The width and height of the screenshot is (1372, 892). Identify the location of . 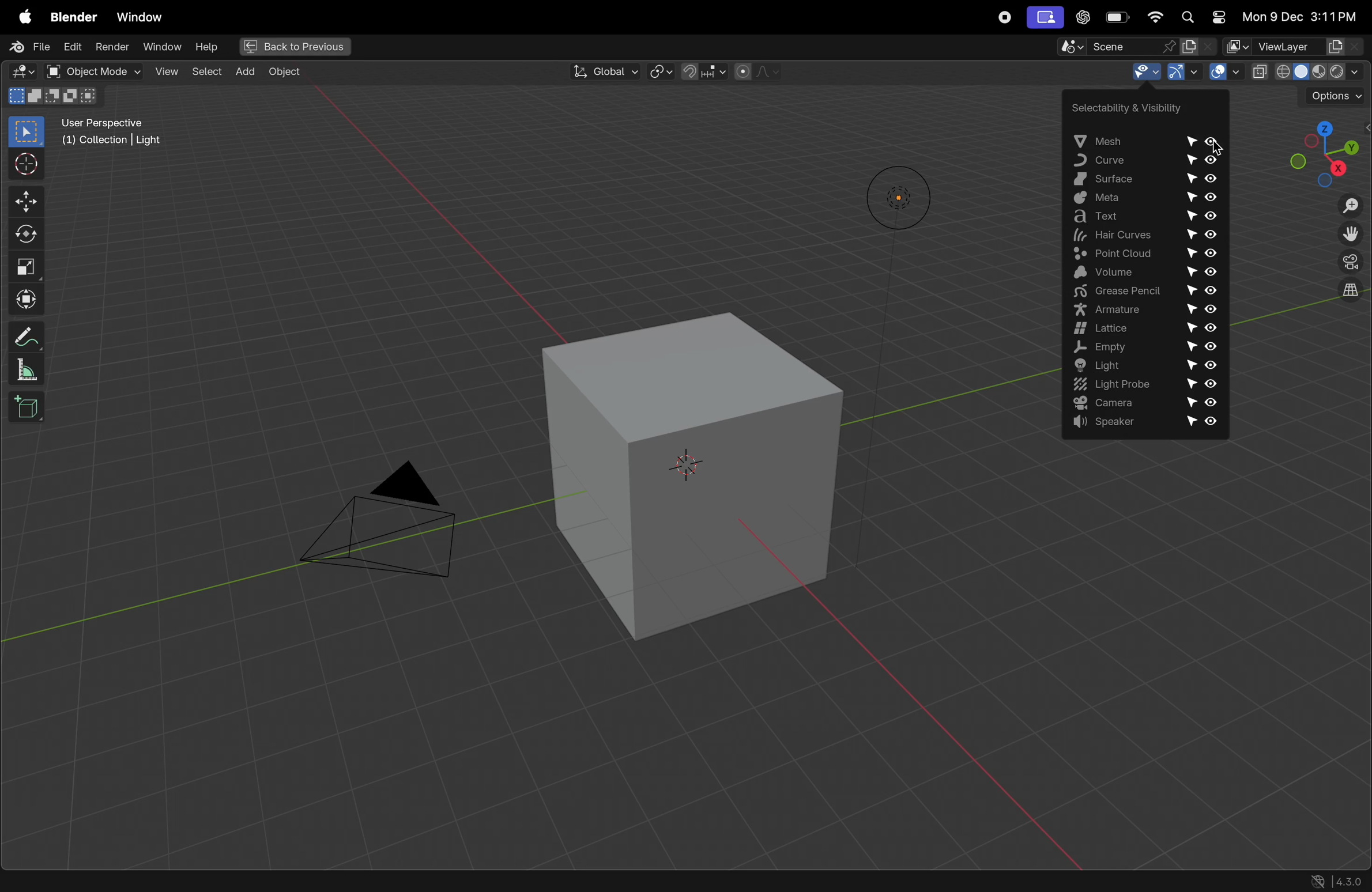
(91, 74).